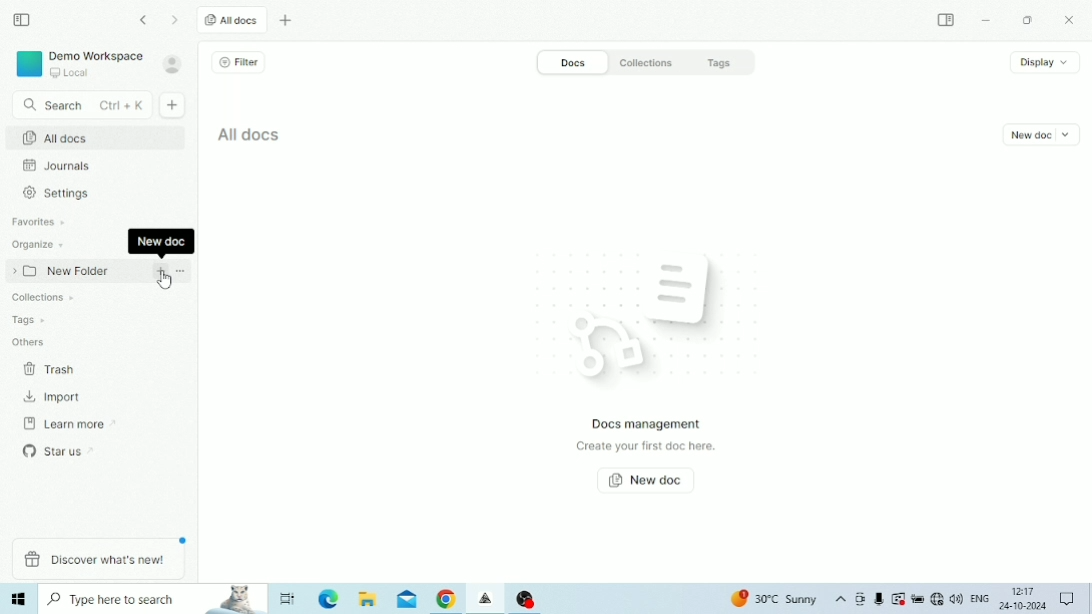 The width and height of the screenshot is (1092, 614). What do you see at coordinates (1067, 598) in the screenshot?
I see `Notifications` at bounding box center [1067, 598].